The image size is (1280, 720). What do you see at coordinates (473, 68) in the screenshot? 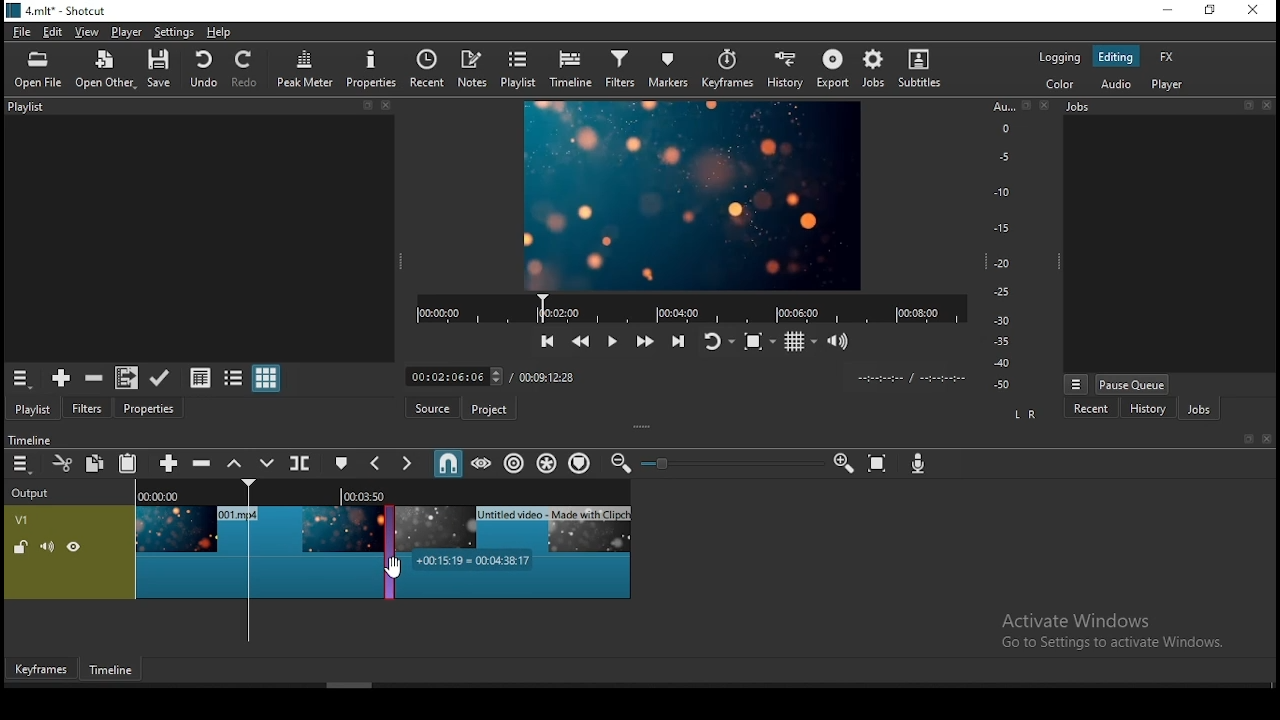
I see `notes` at bounding box center [473, 68].